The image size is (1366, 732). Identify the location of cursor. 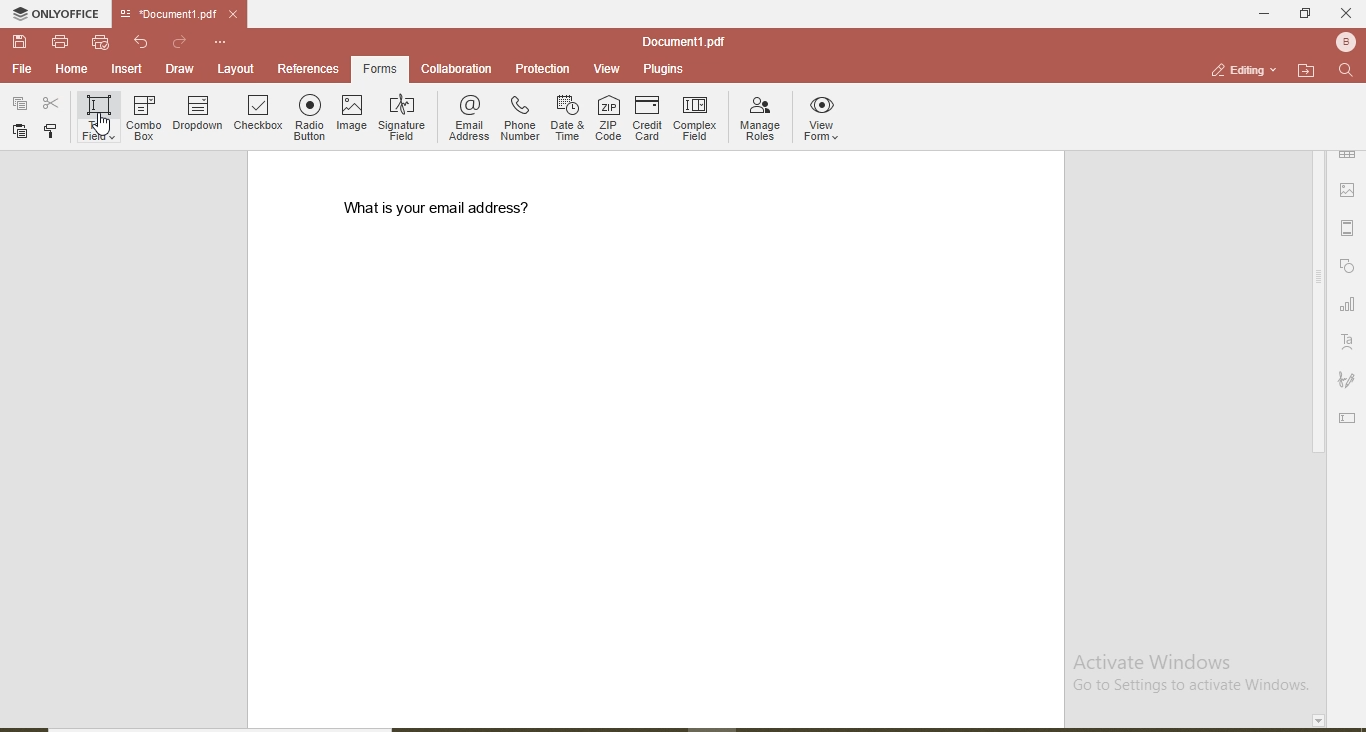
(104, 129).